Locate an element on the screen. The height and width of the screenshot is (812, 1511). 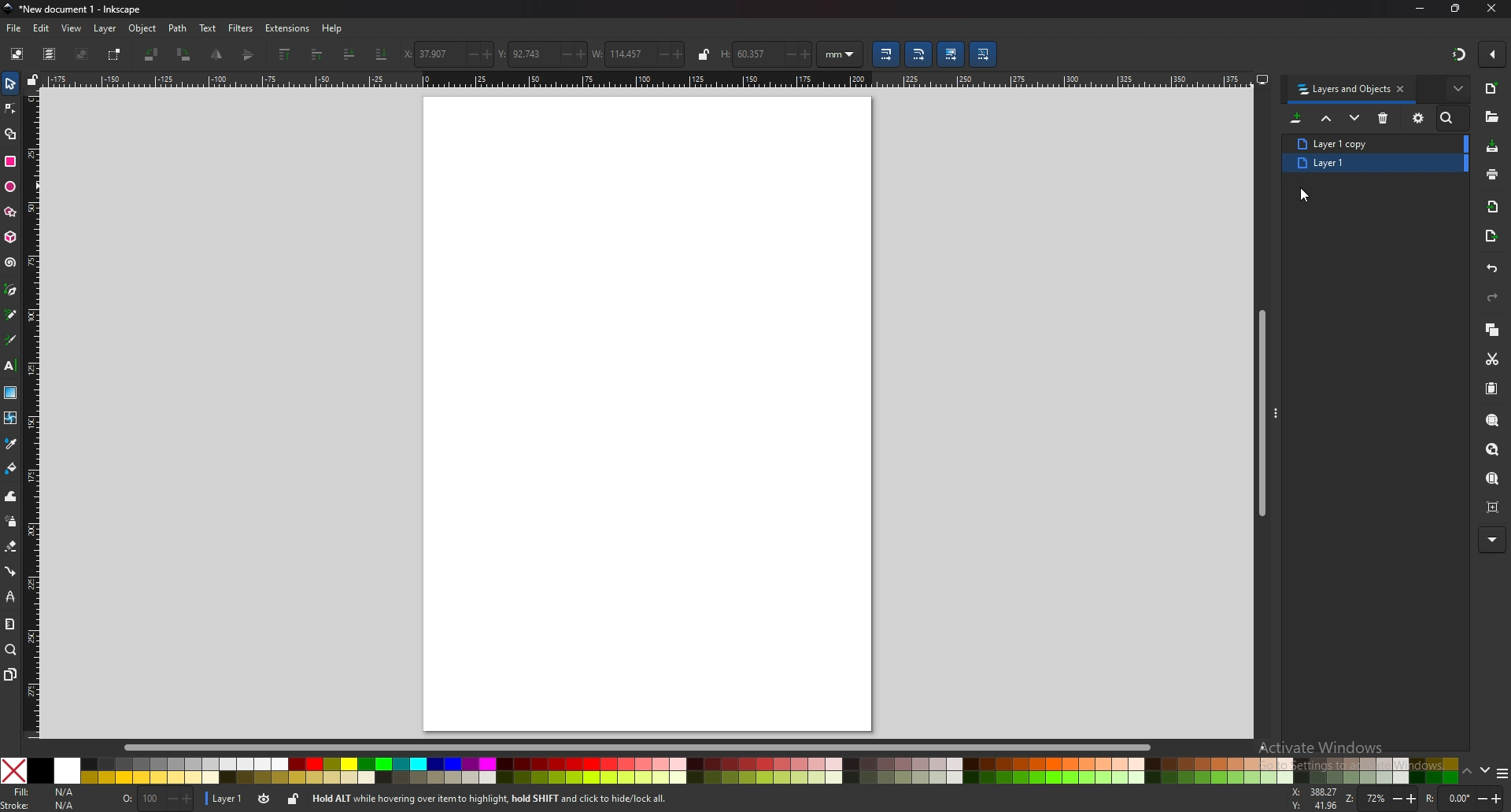
scroll bar is located at coordinates (652, 747).